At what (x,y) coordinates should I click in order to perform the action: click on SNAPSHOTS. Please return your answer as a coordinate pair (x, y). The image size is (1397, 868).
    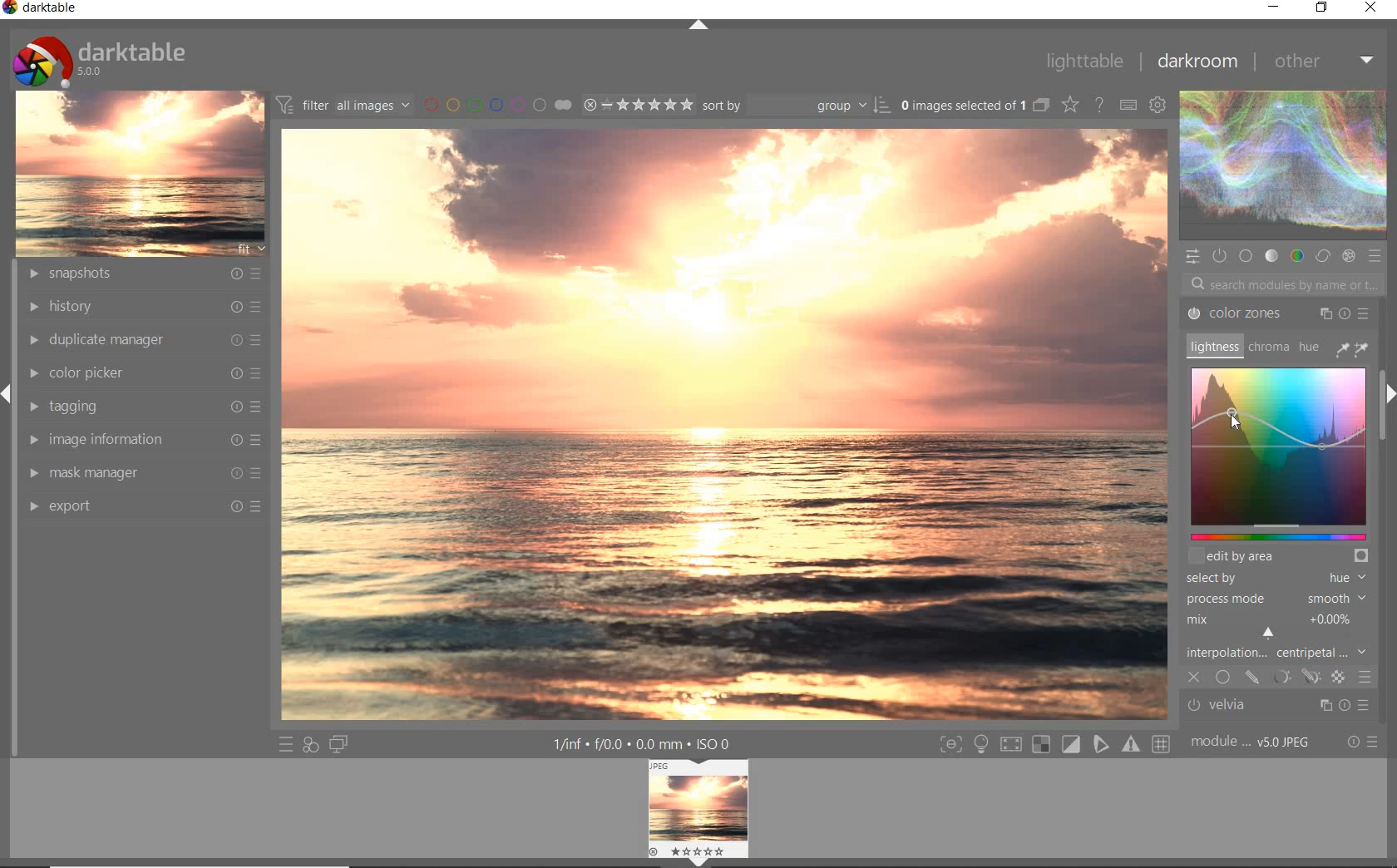
    Looking at the image, I should click on (143, 274).